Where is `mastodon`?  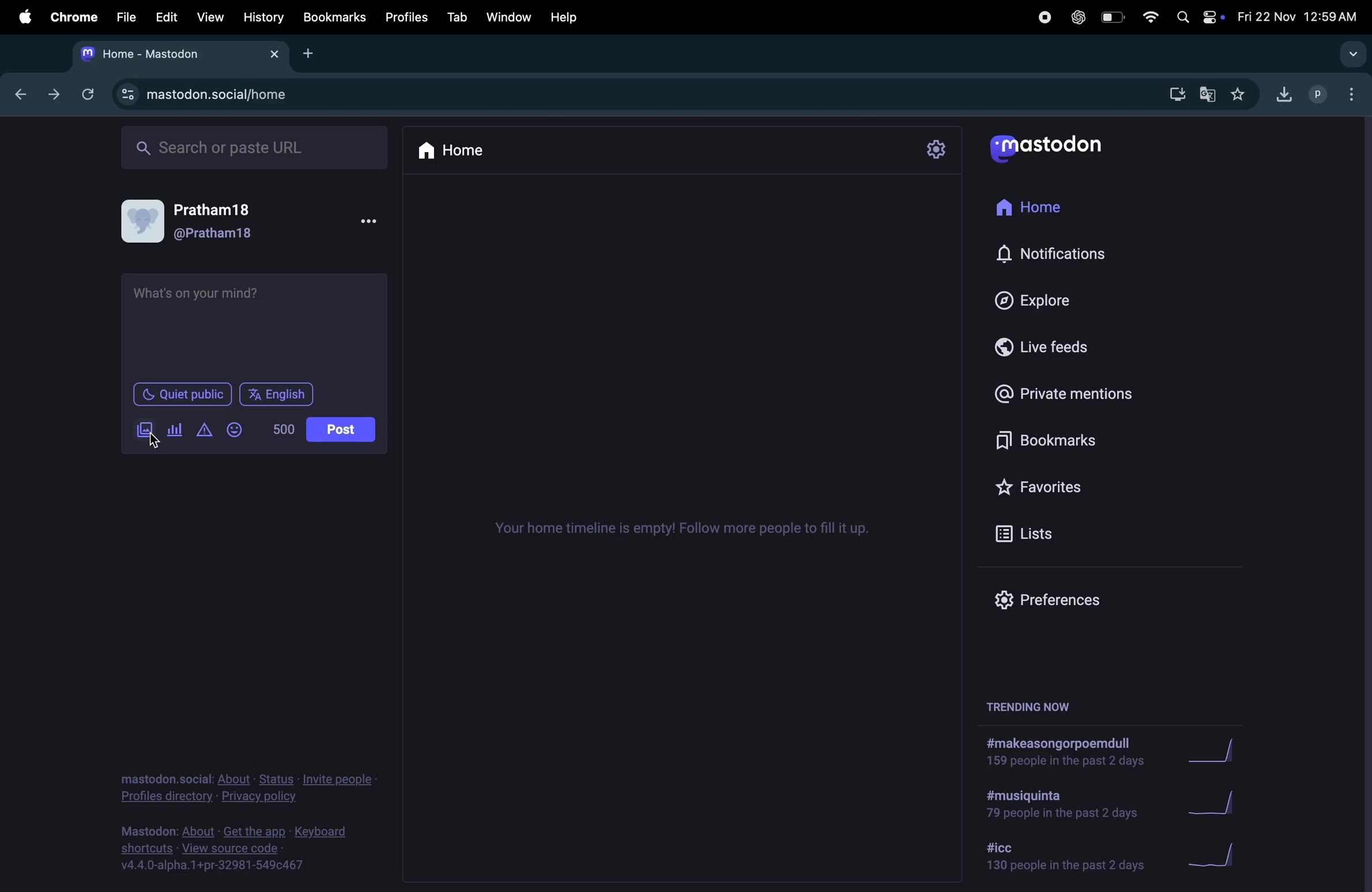 mastodon is located at coordinates (1061, 149).